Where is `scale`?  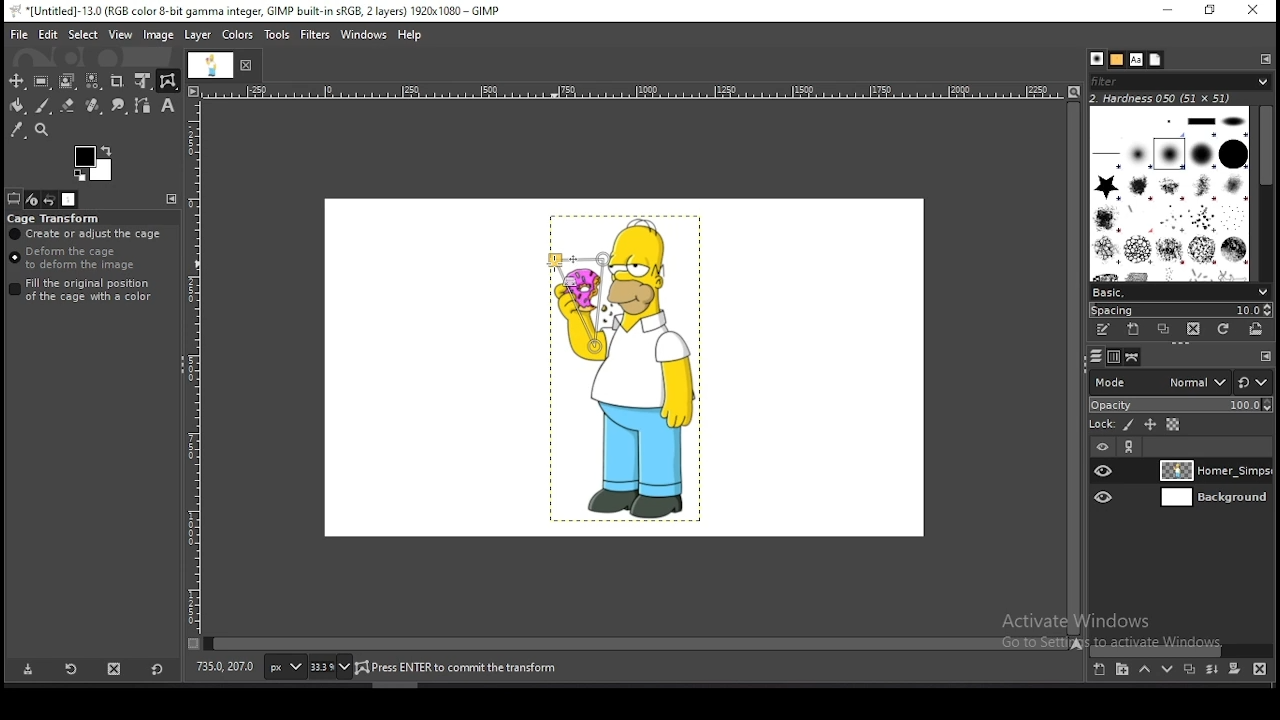
scale is located at coordinates (193, 372).